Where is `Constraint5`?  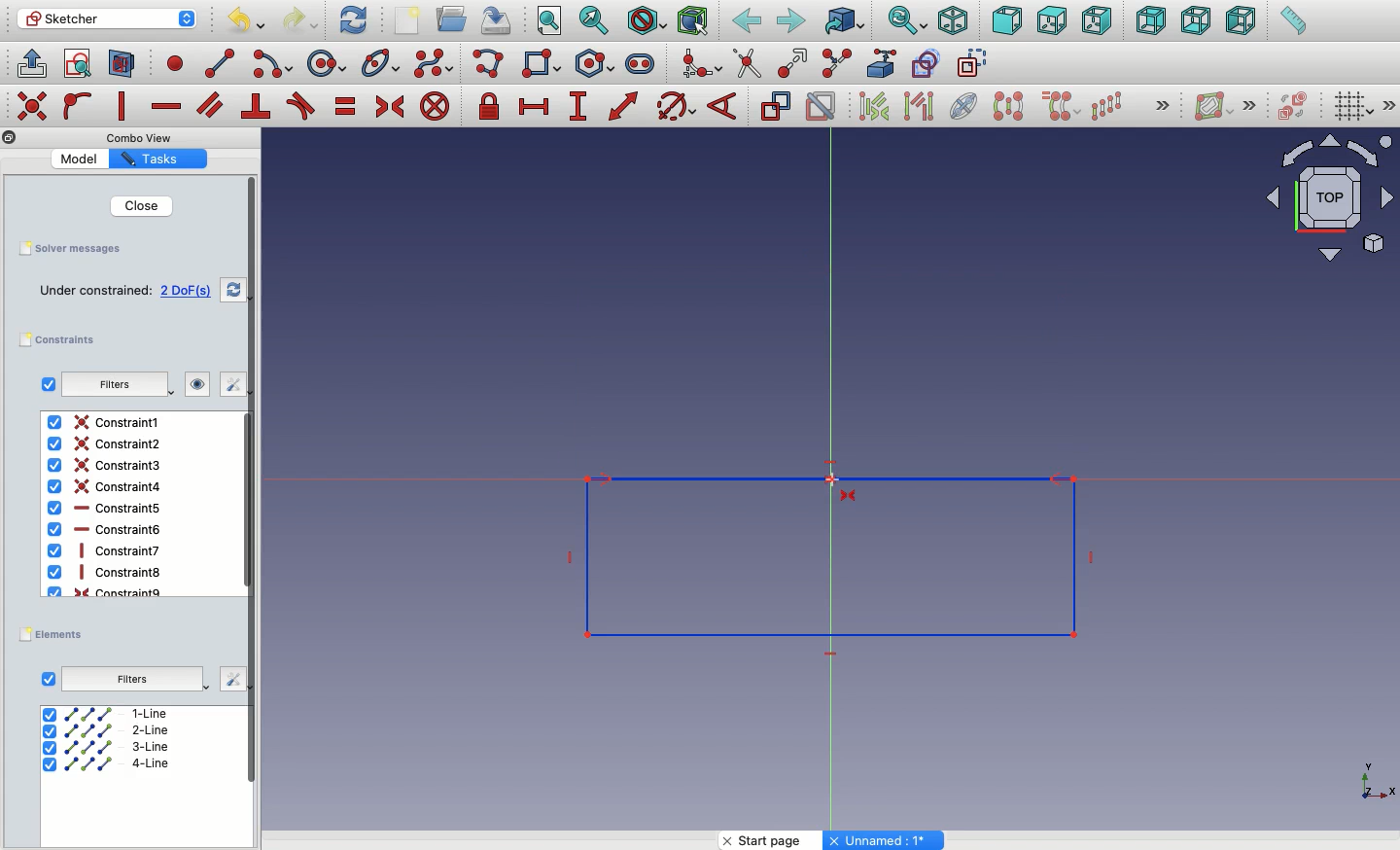 Constraint5 is located at coordinates (106, 509).